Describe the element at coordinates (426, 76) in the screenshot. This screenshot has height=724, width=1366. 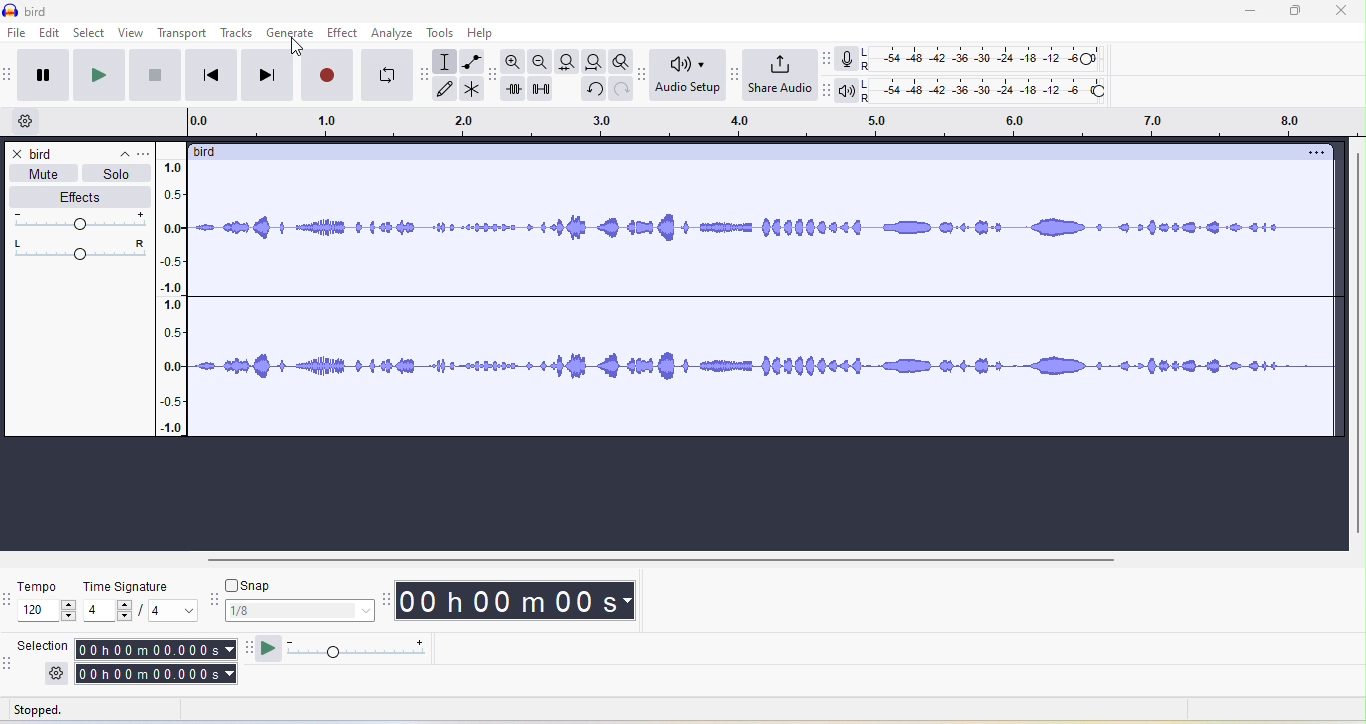
I see `audacity tools toolbar` at that location.